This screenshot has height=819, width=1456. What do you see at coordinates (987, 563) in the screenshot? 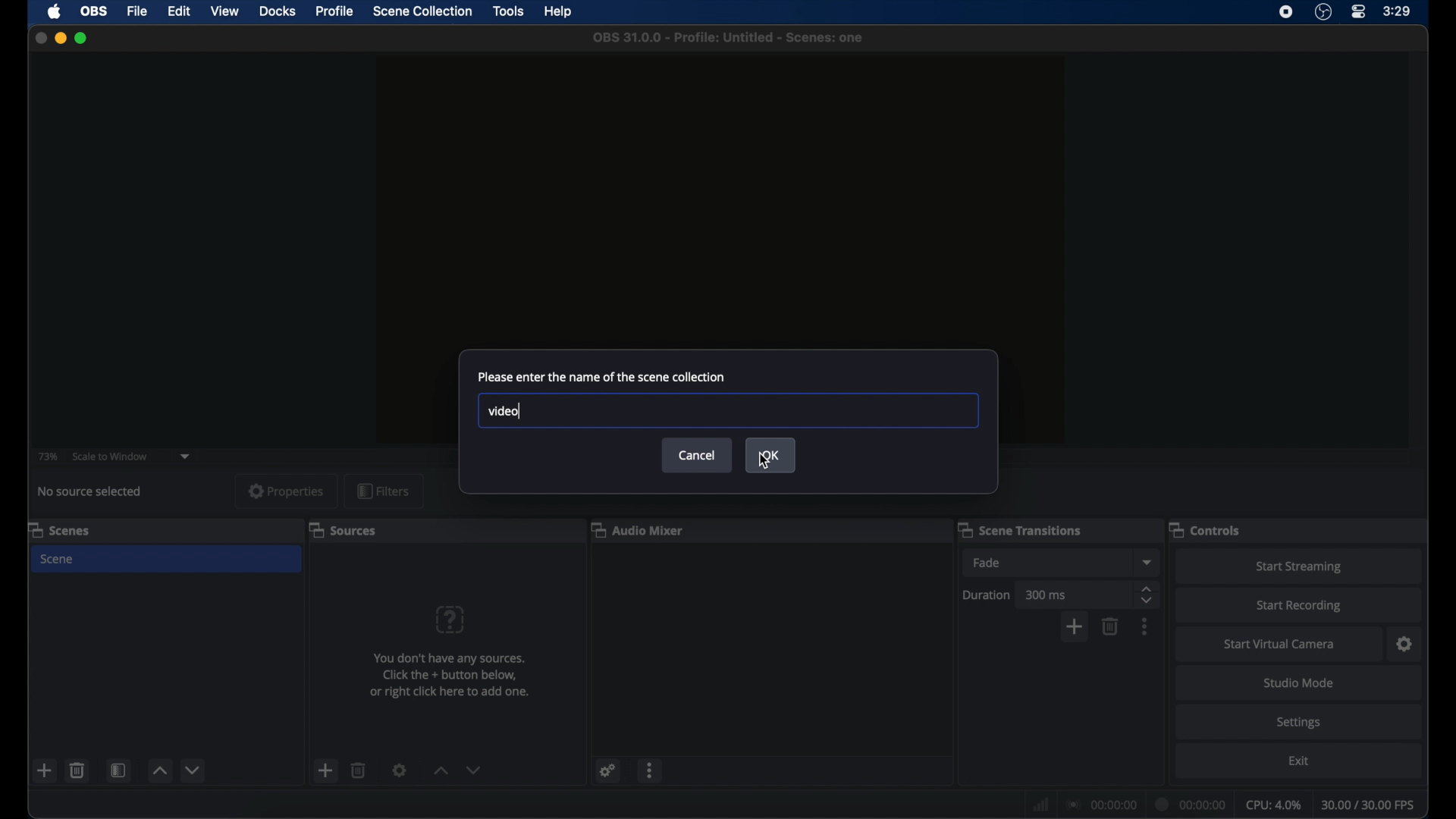
I see `fade` at bounding box center [987, 563].